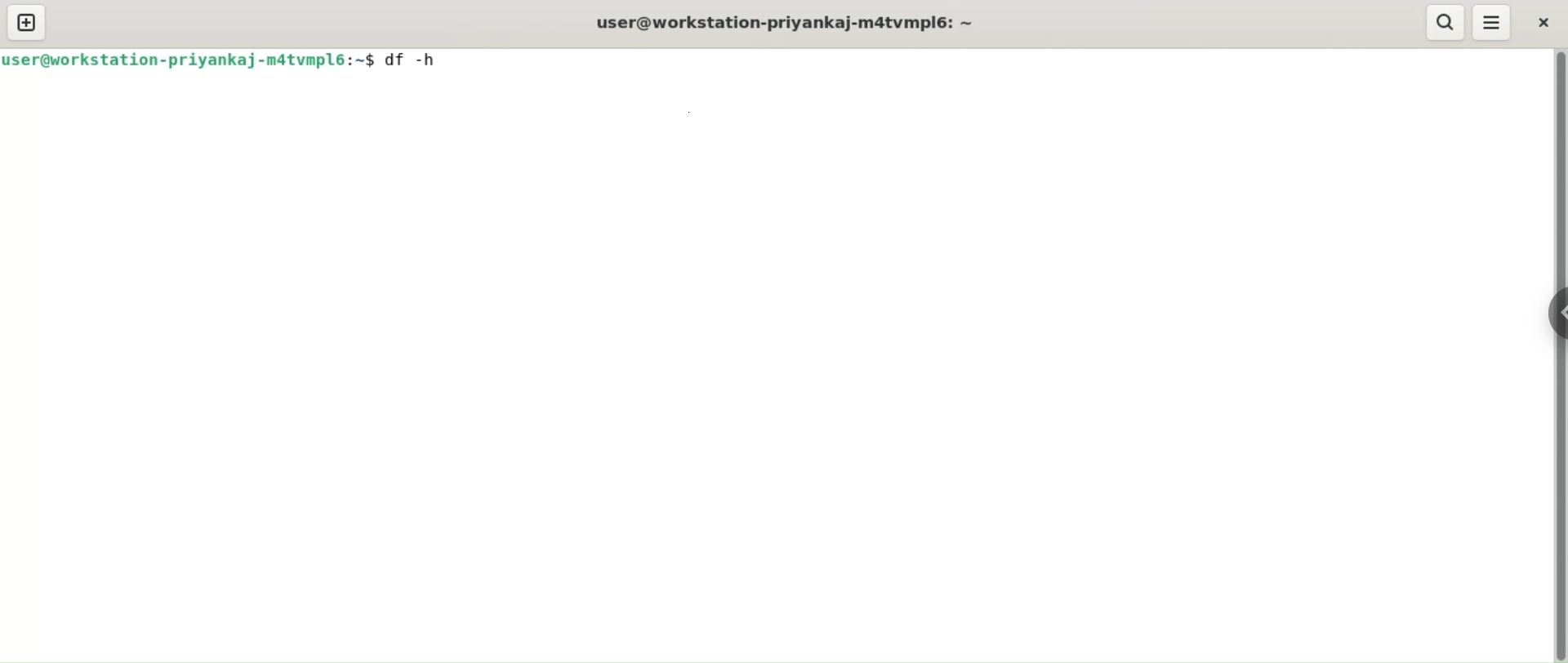  What do you see at coordinates (1541, 21) in the screenshot?
I see `close` at bounding box center [1541, 21].